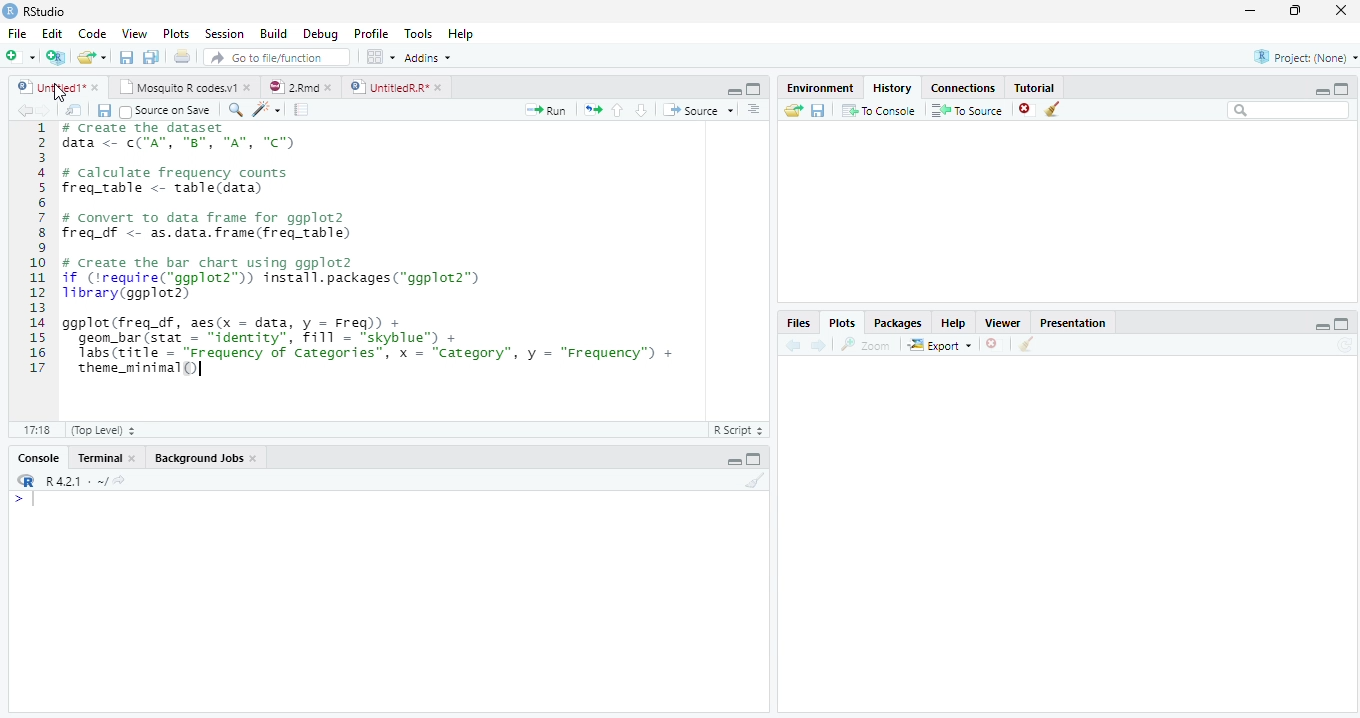 The width and height of the screenshot is (1360, 718). I want to click on Minimize, so click(1251, 10).